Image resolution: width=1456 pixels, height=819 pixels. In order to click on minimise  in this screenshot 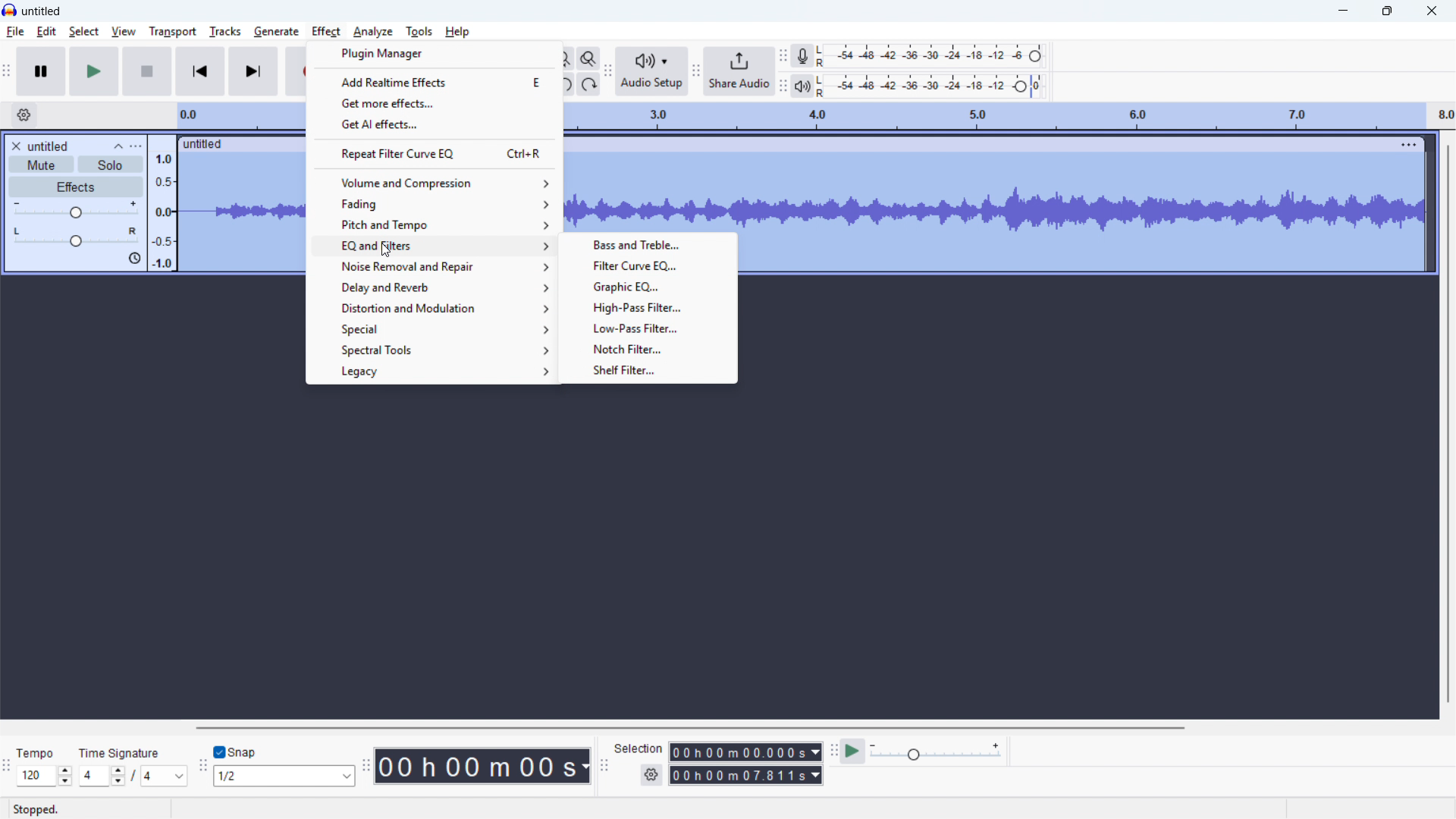, I will do `click(1341, 11)`.